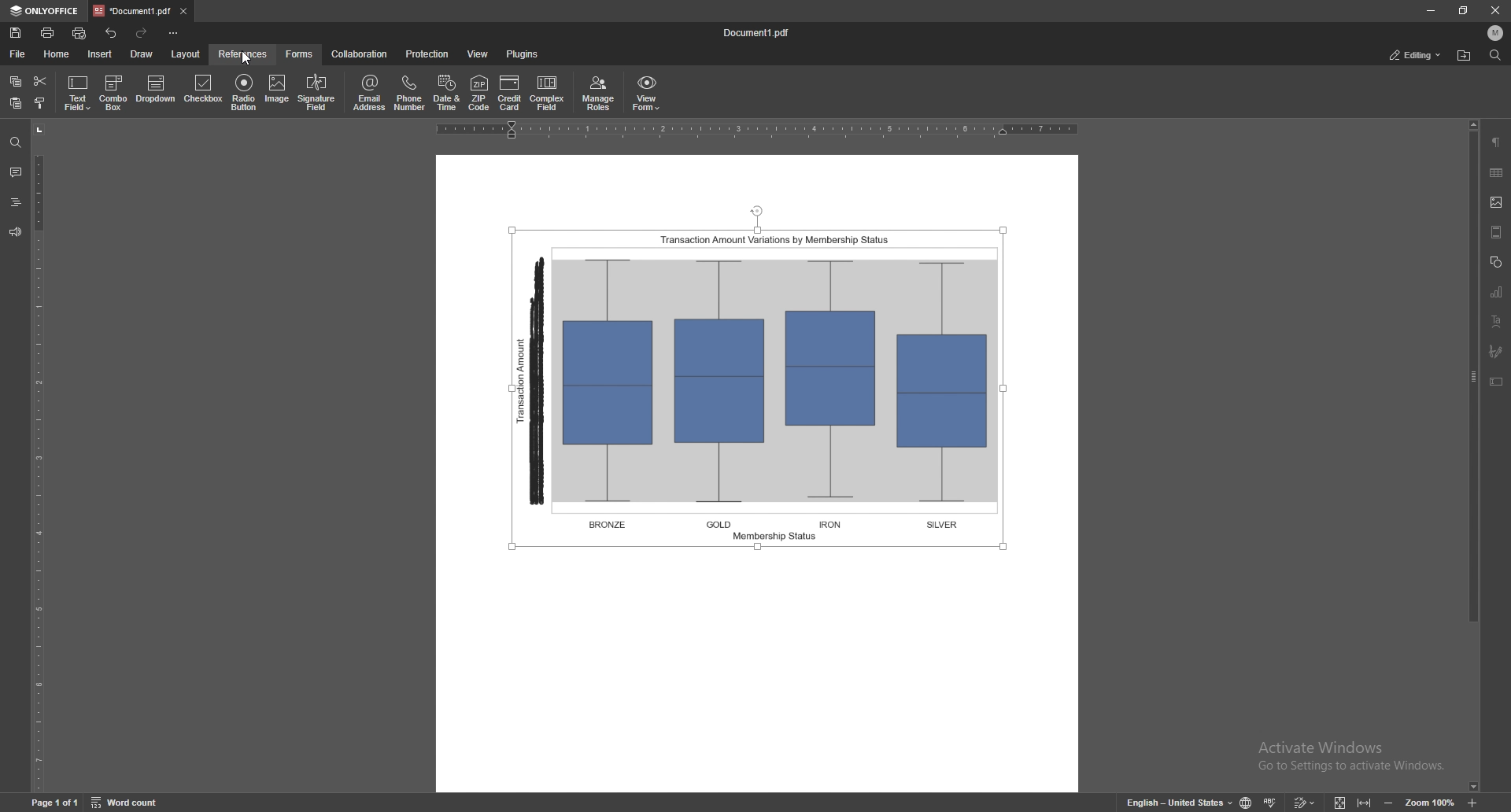  Describe the element at coordinates (127, 802) in the screenshot. I see `word count` at that location.